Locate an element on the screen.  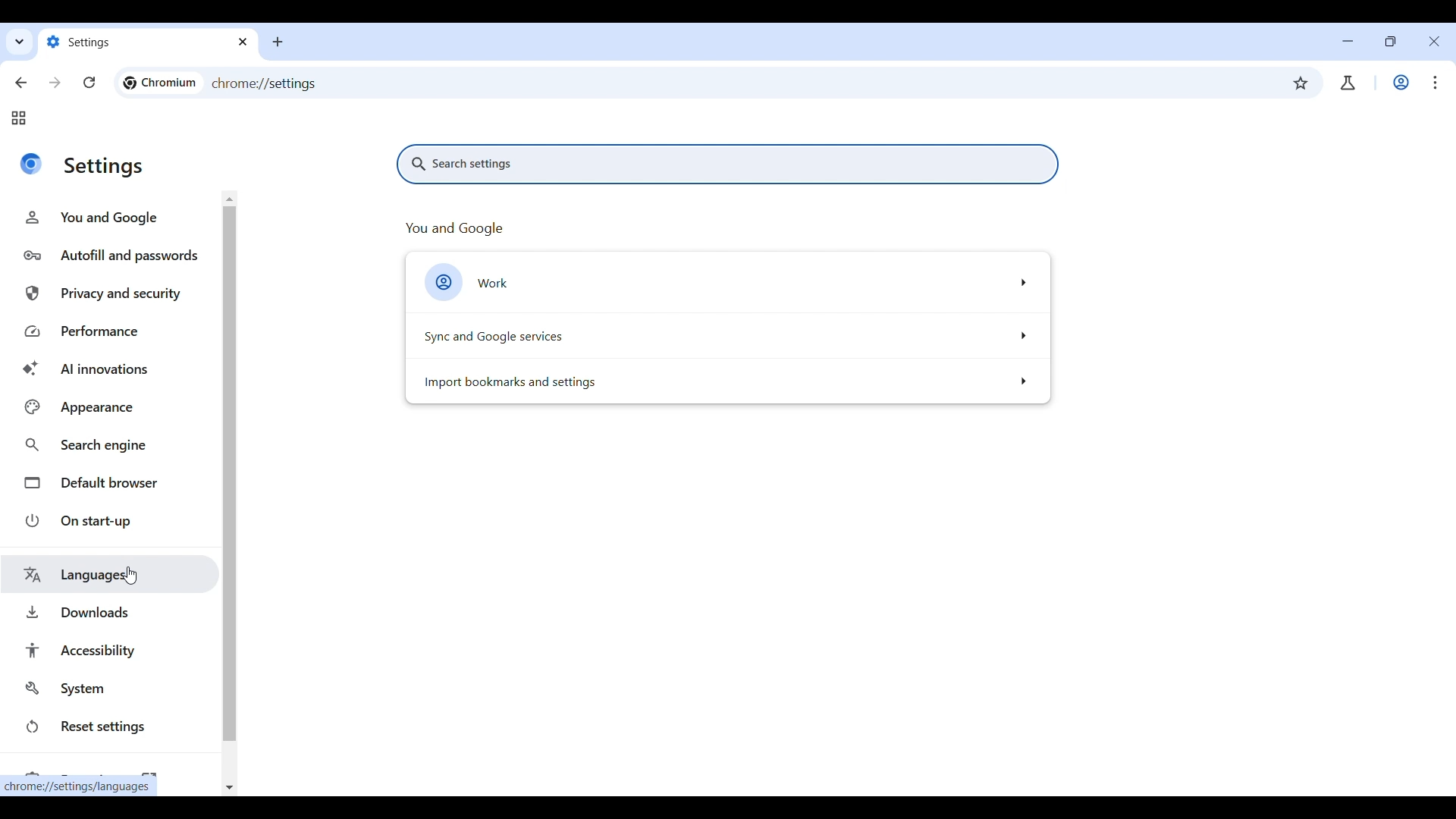
System is located at coordinates (112, 689).